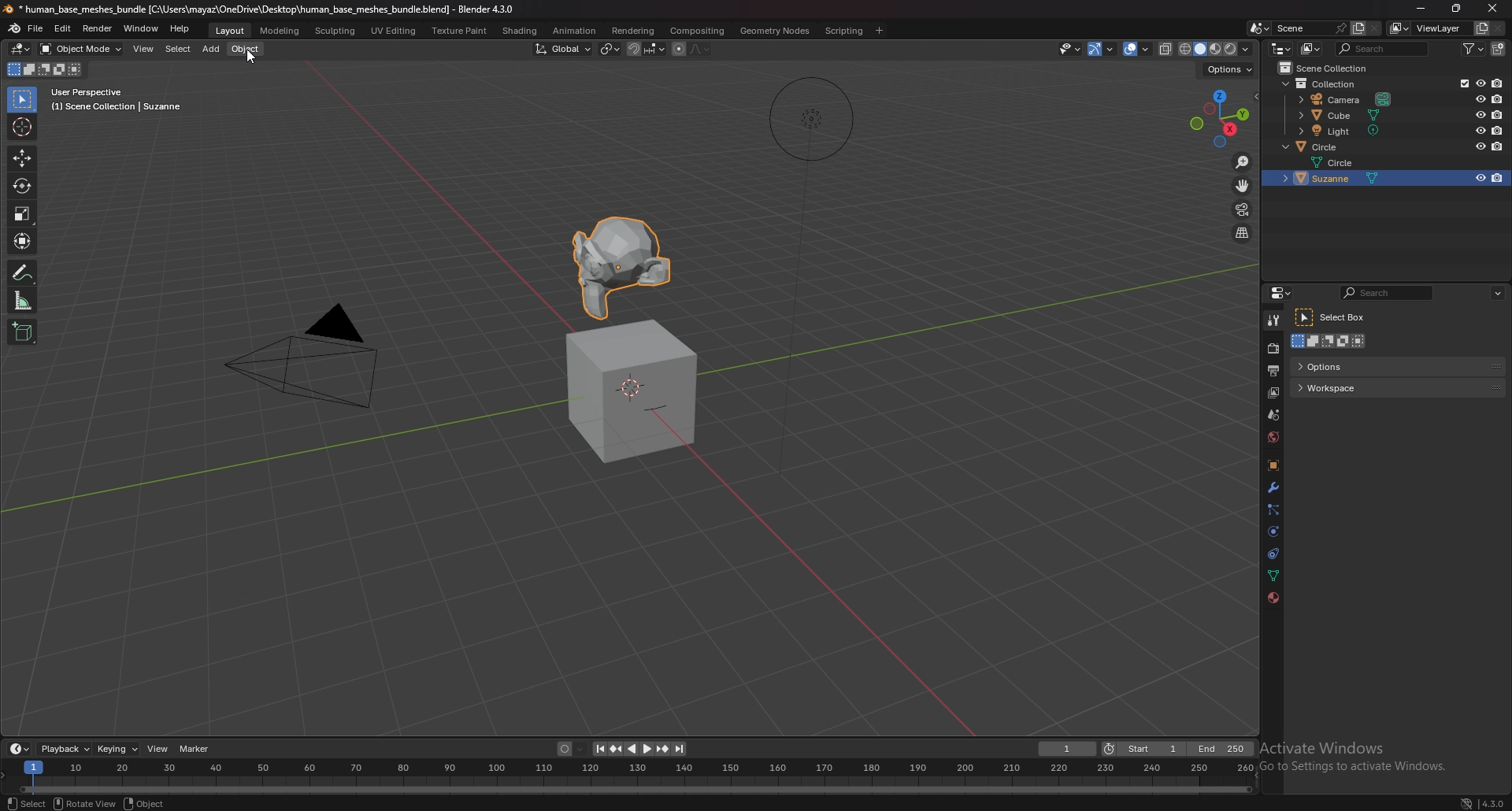 The width and height of the screenshot is (1512, 811). What do you see at coordinates (24, 300) in the screenshot?
I see `scale` at bounding box center [24, 300].